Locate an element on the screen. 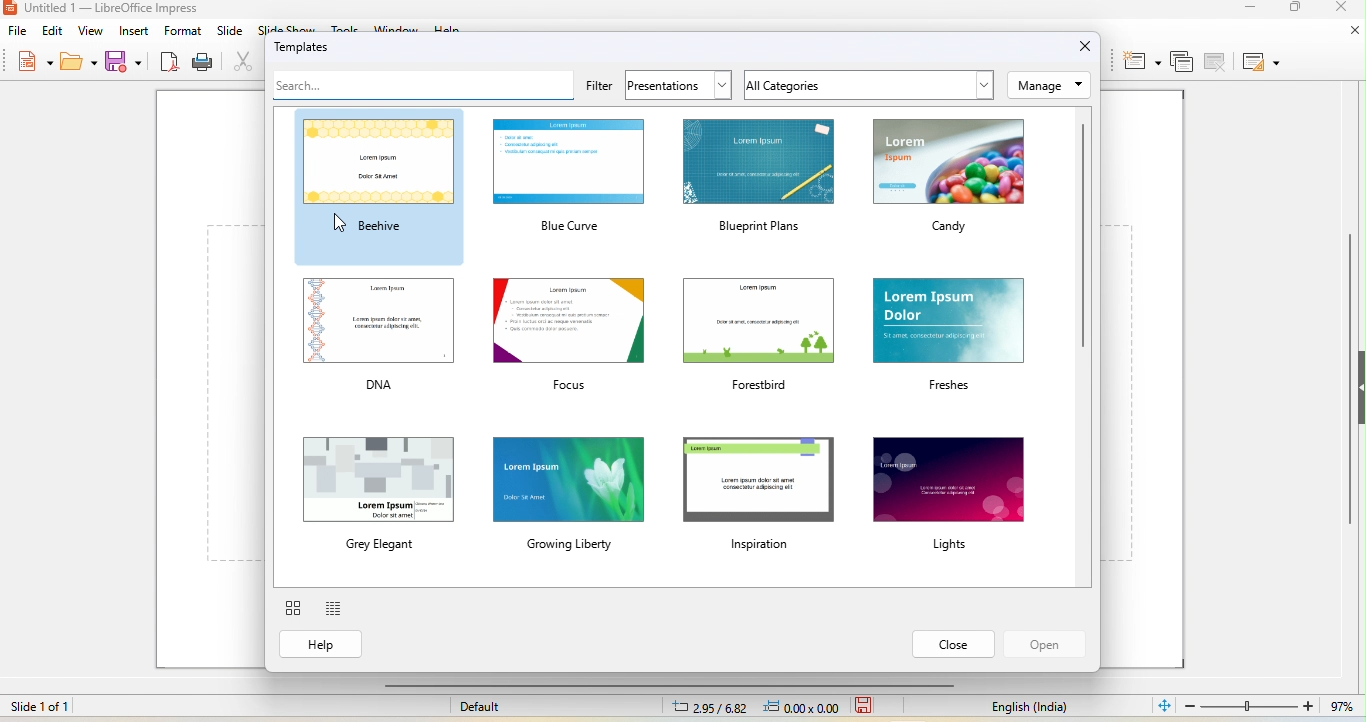 The width and height of the screenshot is (1366, 722). close is located at coordinates (1338, 9).